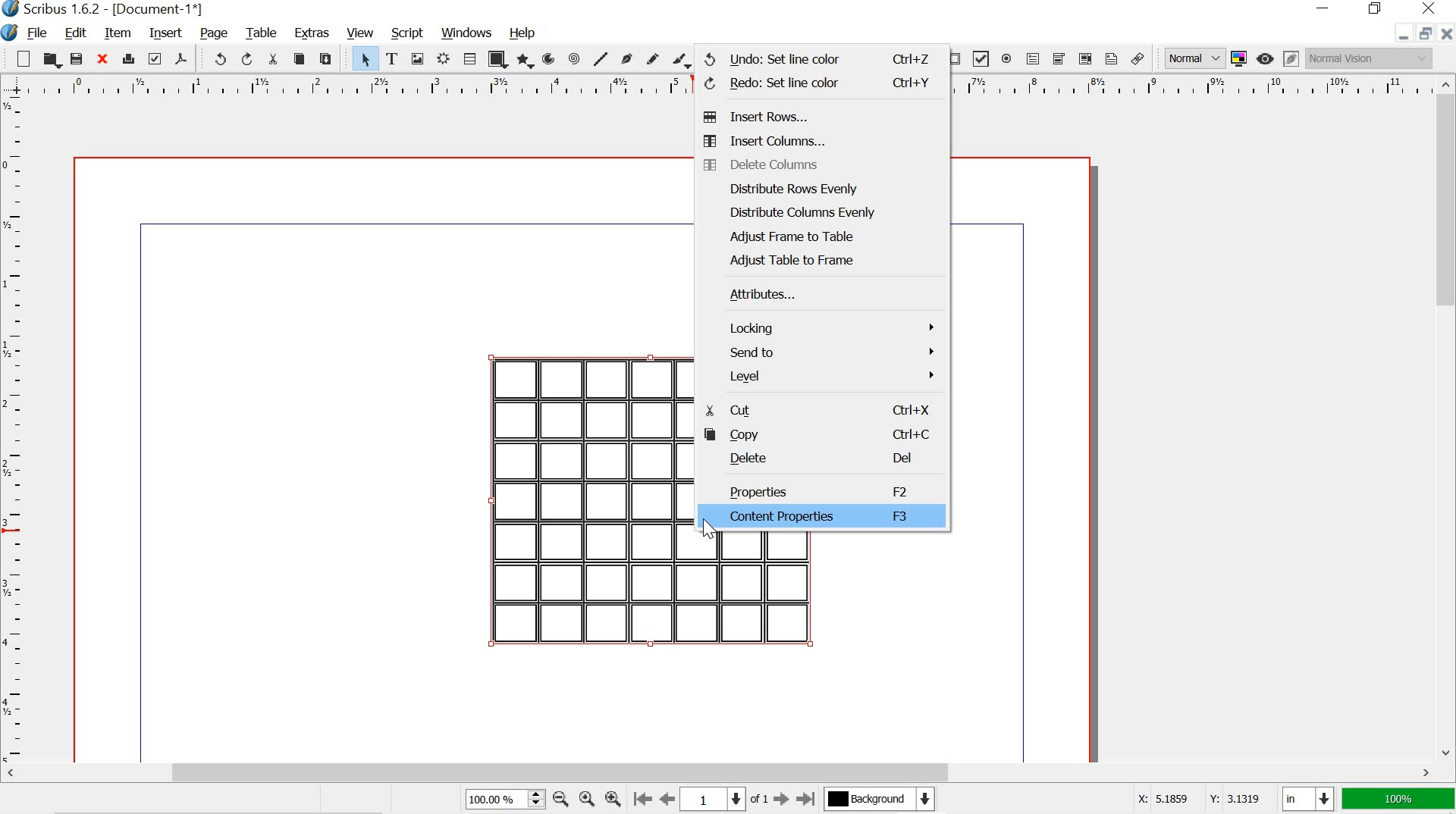 The width and height of the screenshot is (1456, 814). Describe the element at coordinates (154, 58) in the screenshot. I see `preflight verifier` at that location.